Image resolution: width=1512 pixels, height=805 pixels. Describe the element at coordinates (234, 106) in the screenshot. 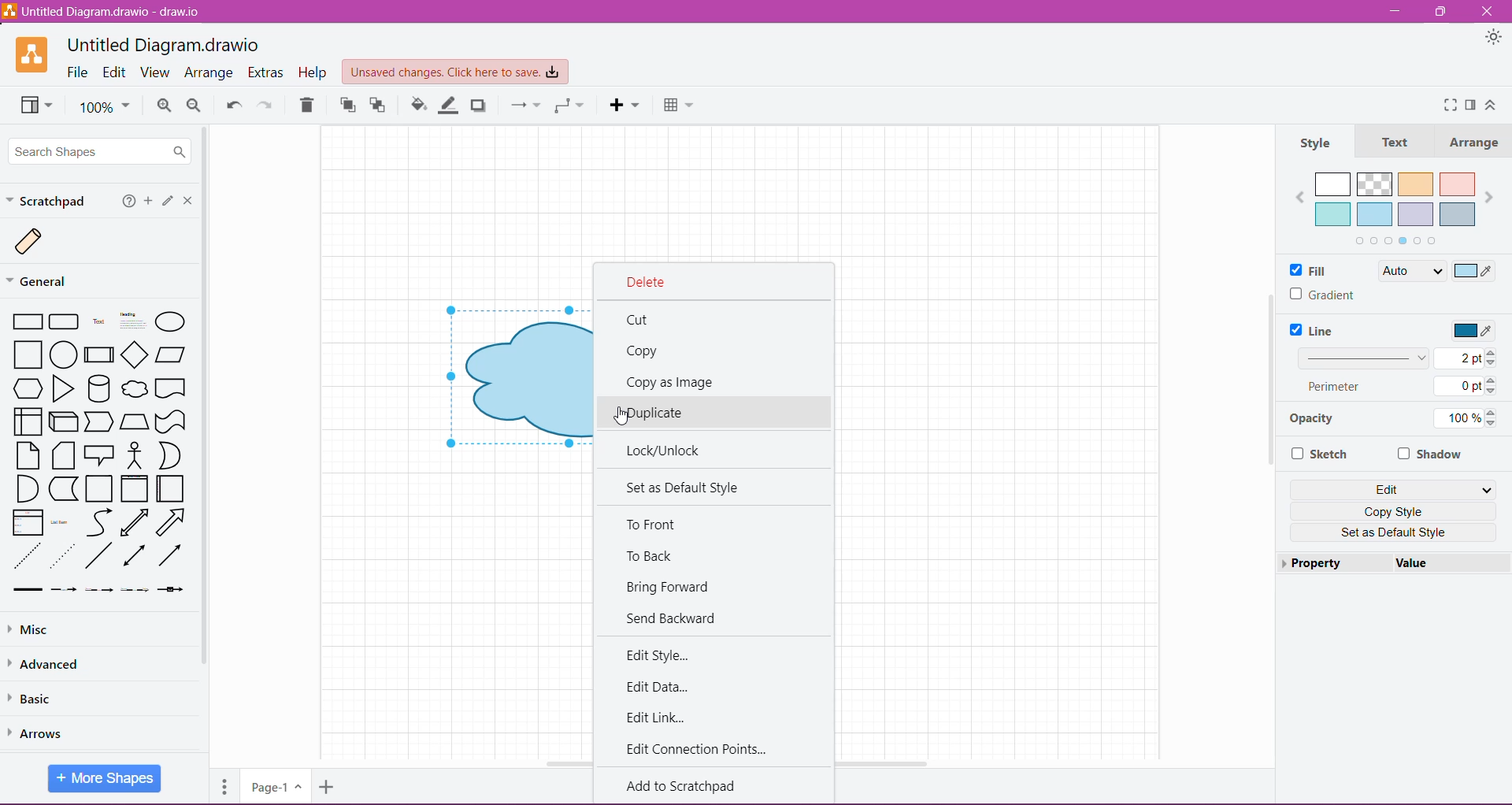

I see `Undo` at that location.